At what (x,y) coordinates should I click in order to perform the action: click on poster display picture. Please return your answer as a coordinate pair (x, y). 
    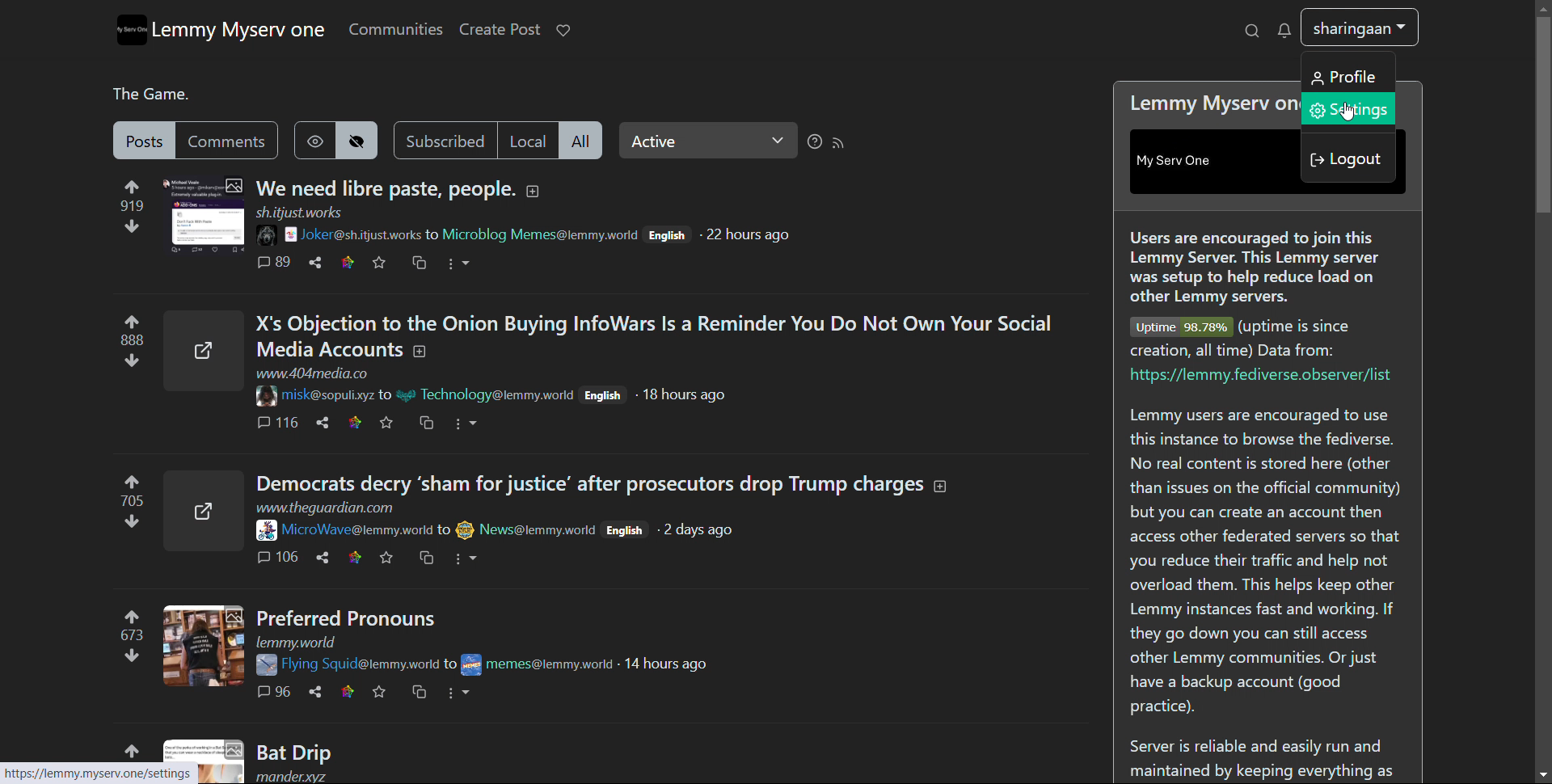
    Looking at the image, I should click on (406, 396).